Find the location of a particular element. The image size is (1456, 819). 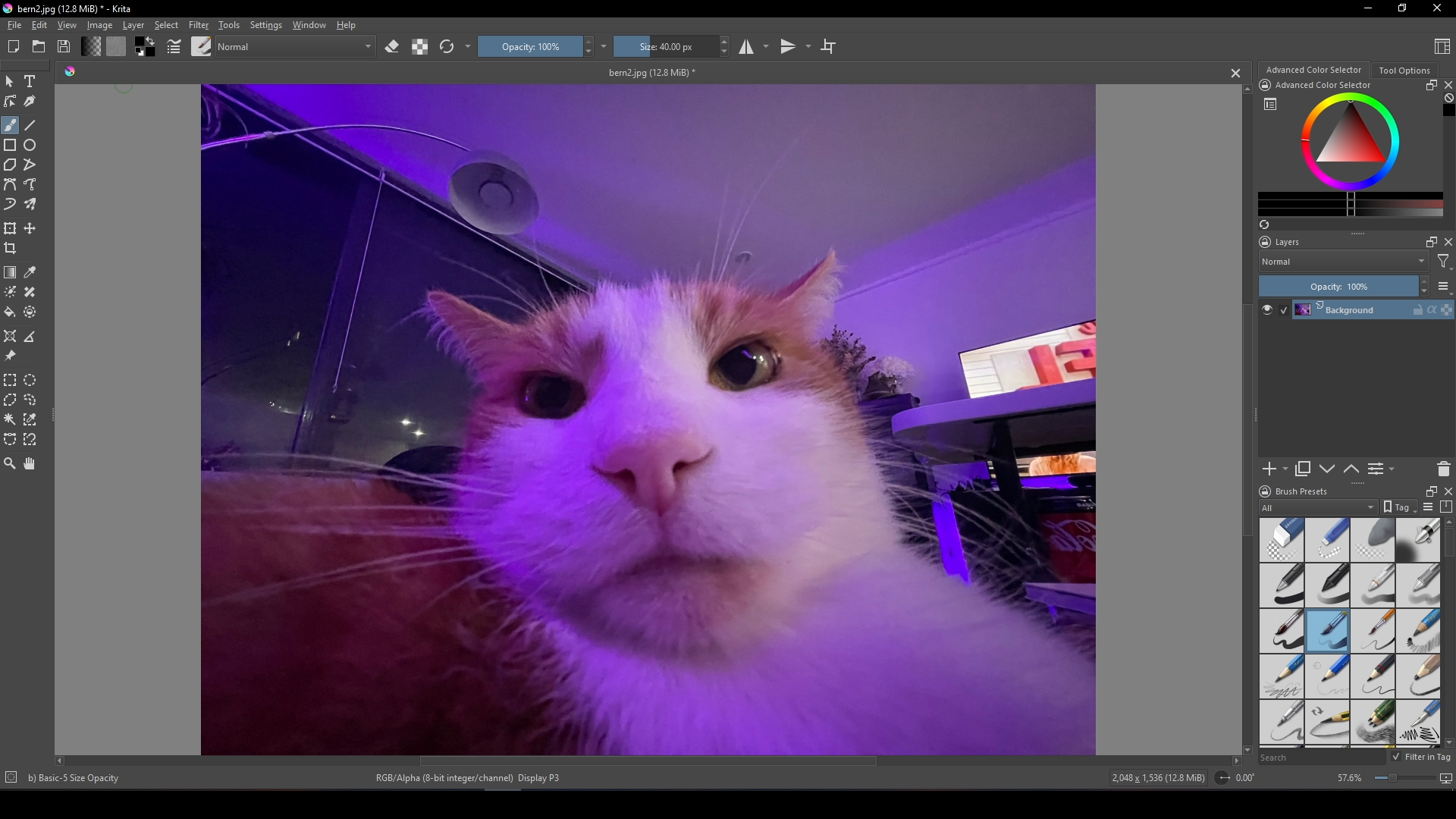

Brush preset filter is located at coordinates (1319, 508).